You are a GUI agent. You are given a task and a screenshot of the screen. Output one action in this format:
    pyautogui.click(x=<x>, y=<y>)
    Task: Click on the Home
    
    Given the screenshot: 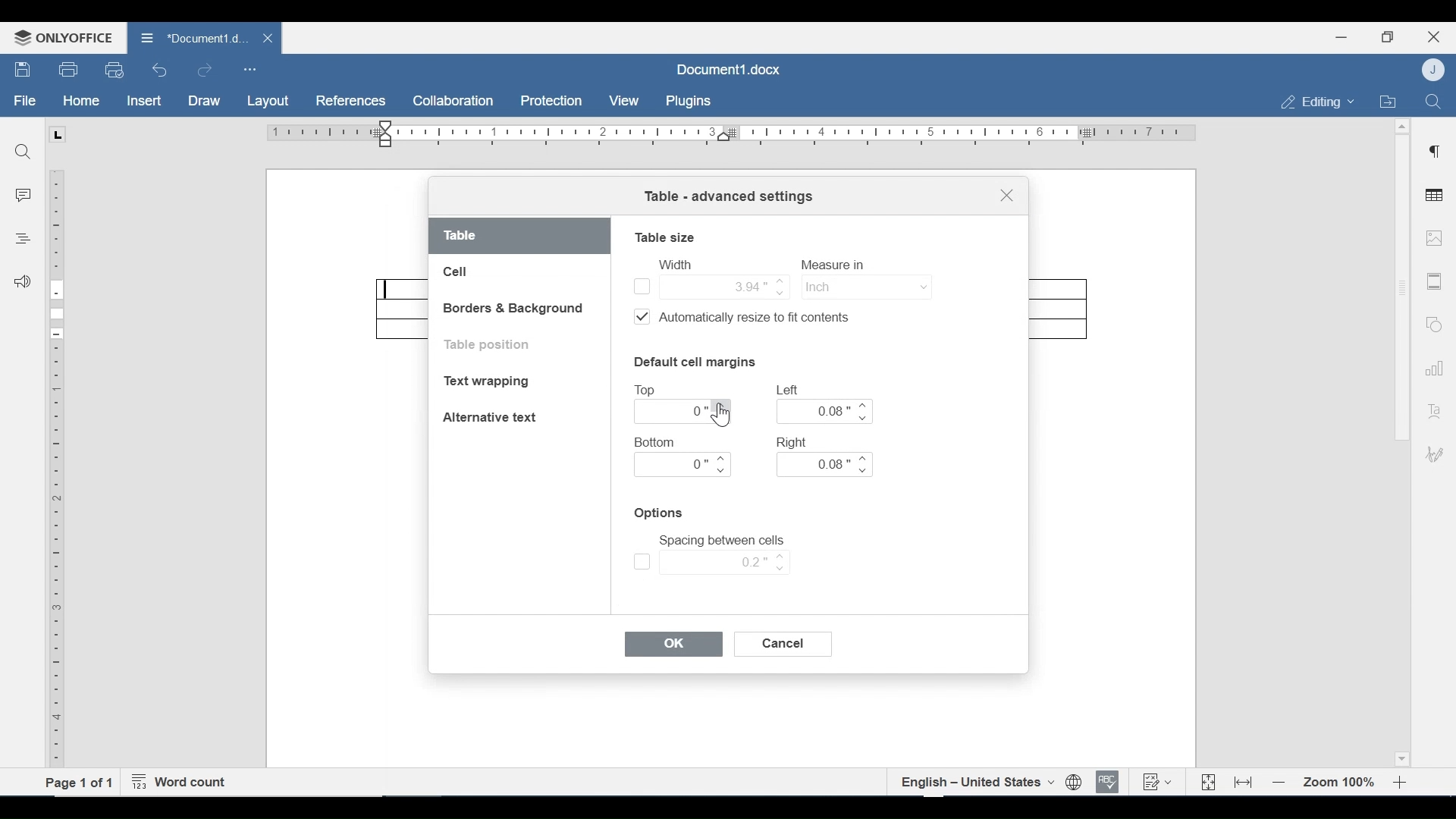 What is the action you would take?
    pyautogui.click(x=81, y=101)
    